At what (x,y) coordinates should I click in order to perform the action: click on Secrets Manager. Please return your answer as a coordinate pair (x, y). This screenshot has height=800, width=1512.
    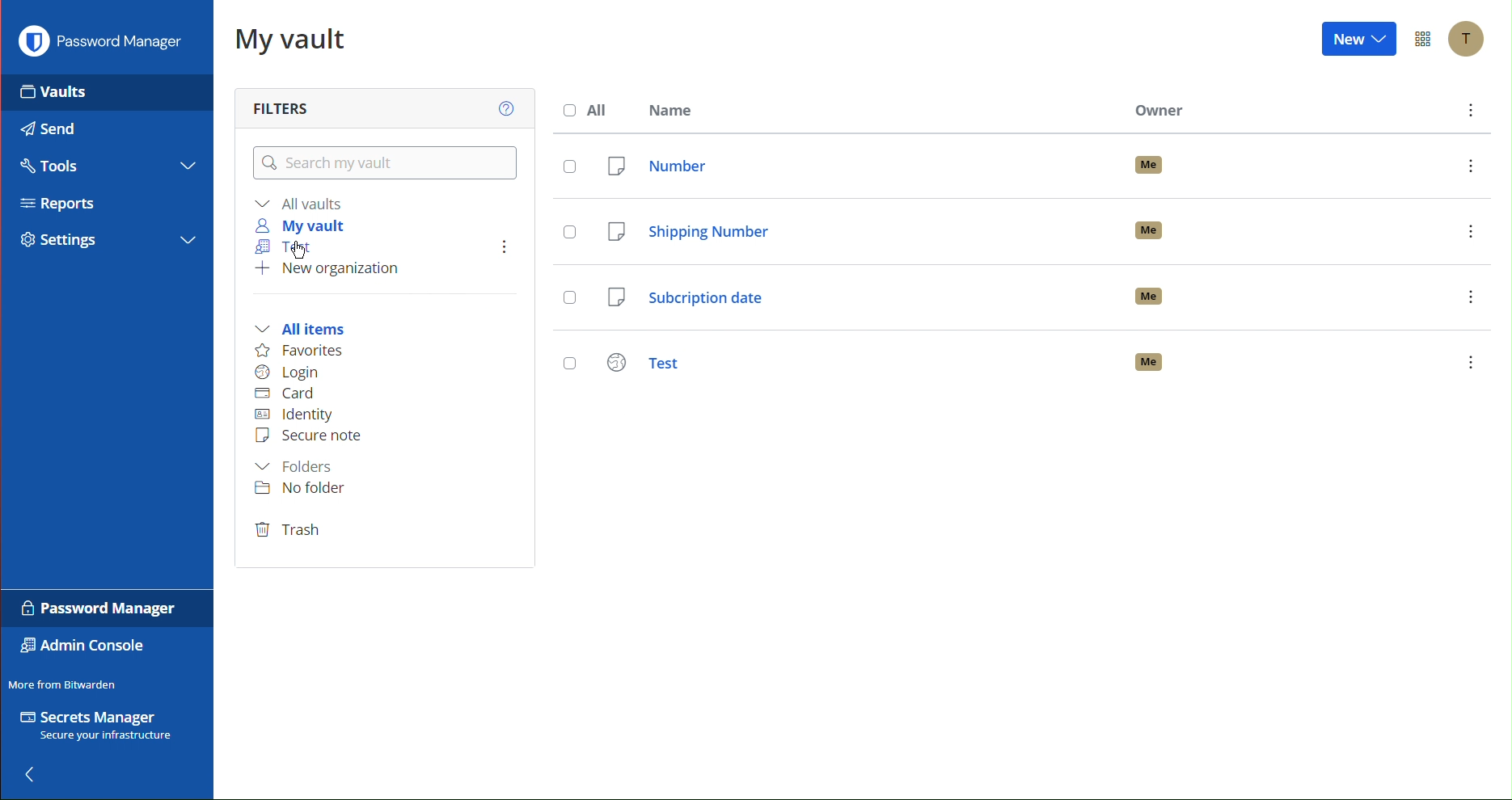
    Looking at the image, I should click on (96, 724).